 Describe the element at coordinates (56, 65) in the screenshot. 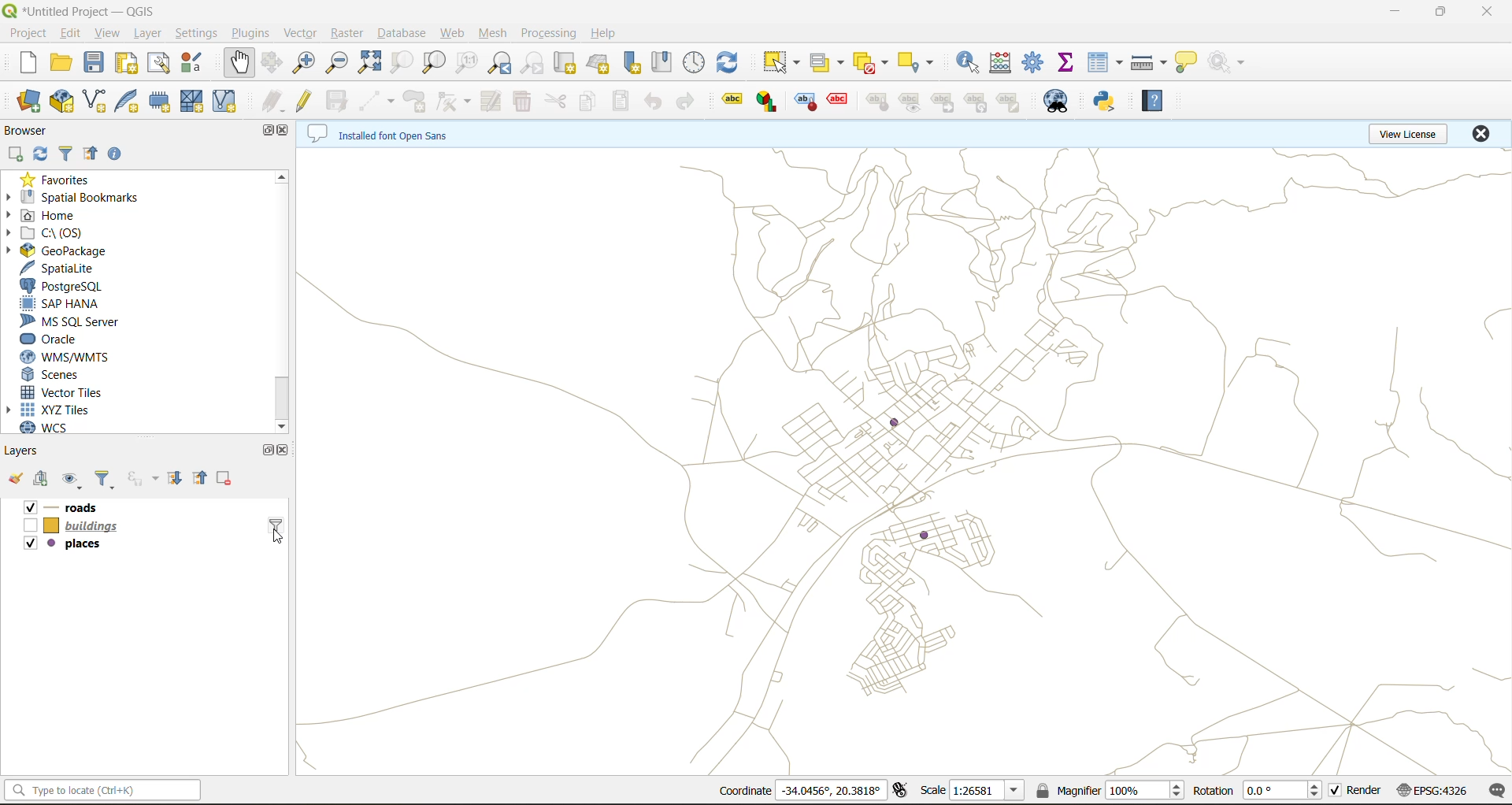

I see `open` at that location.